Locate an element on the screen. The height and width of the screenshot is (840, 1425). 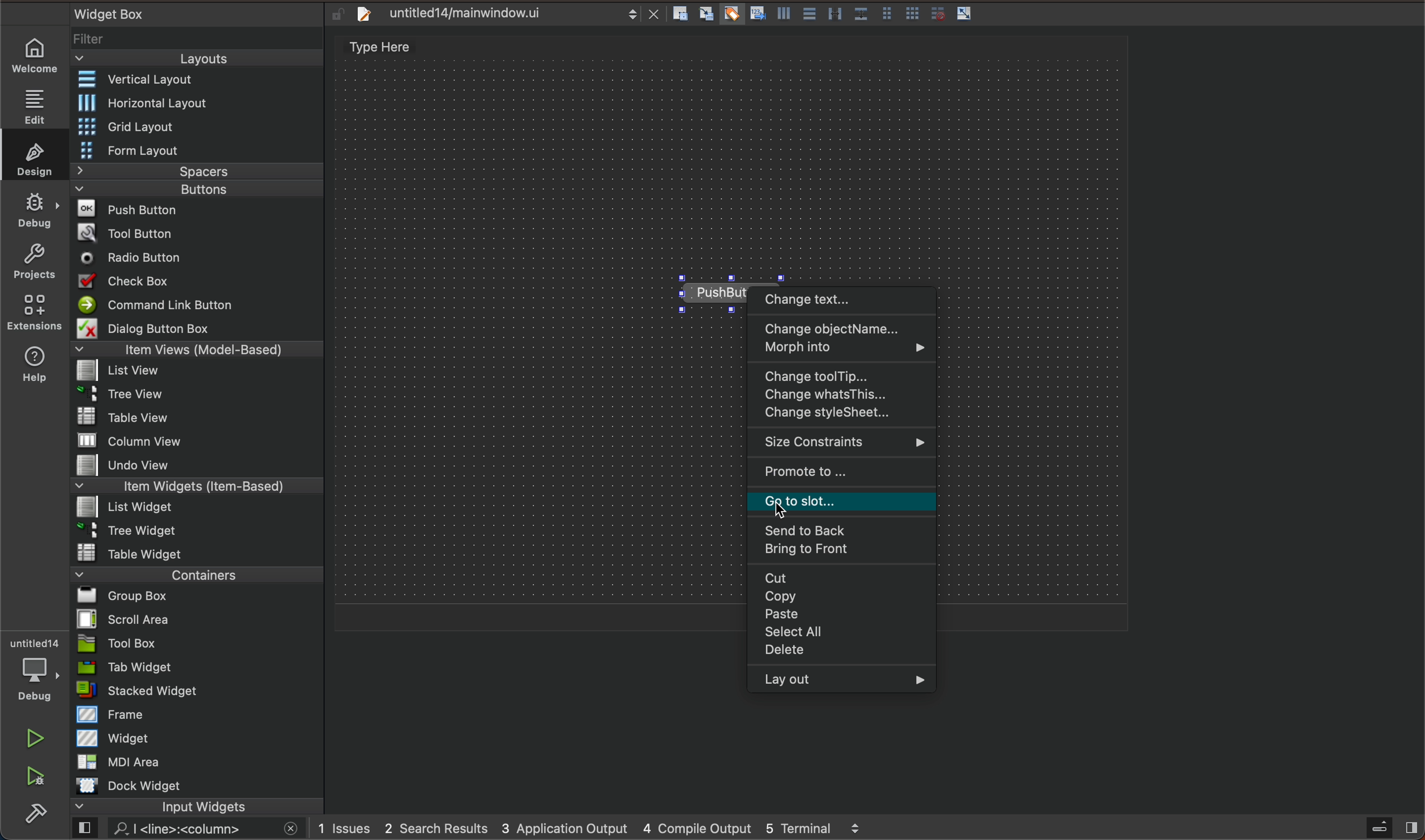
table widget is located at coordinates (200, 553).